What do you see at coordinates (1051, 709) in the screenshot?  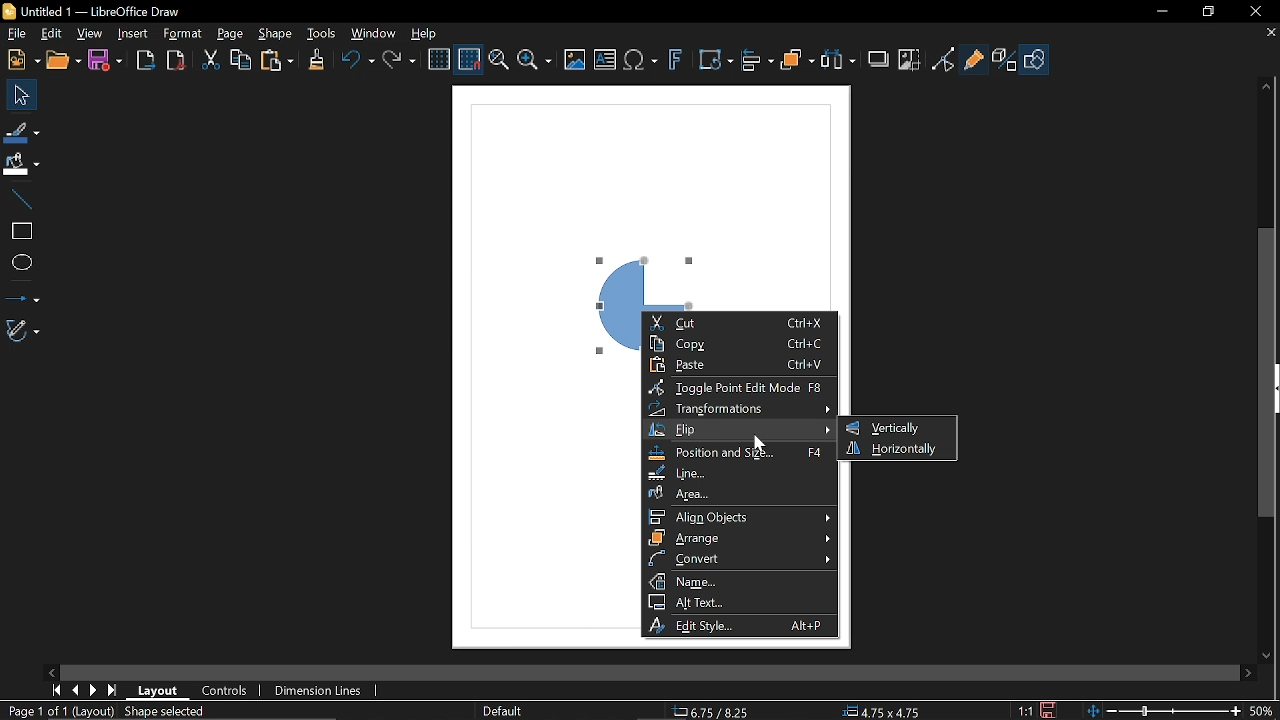 I see `Save` at bounding box center [1051, 709].